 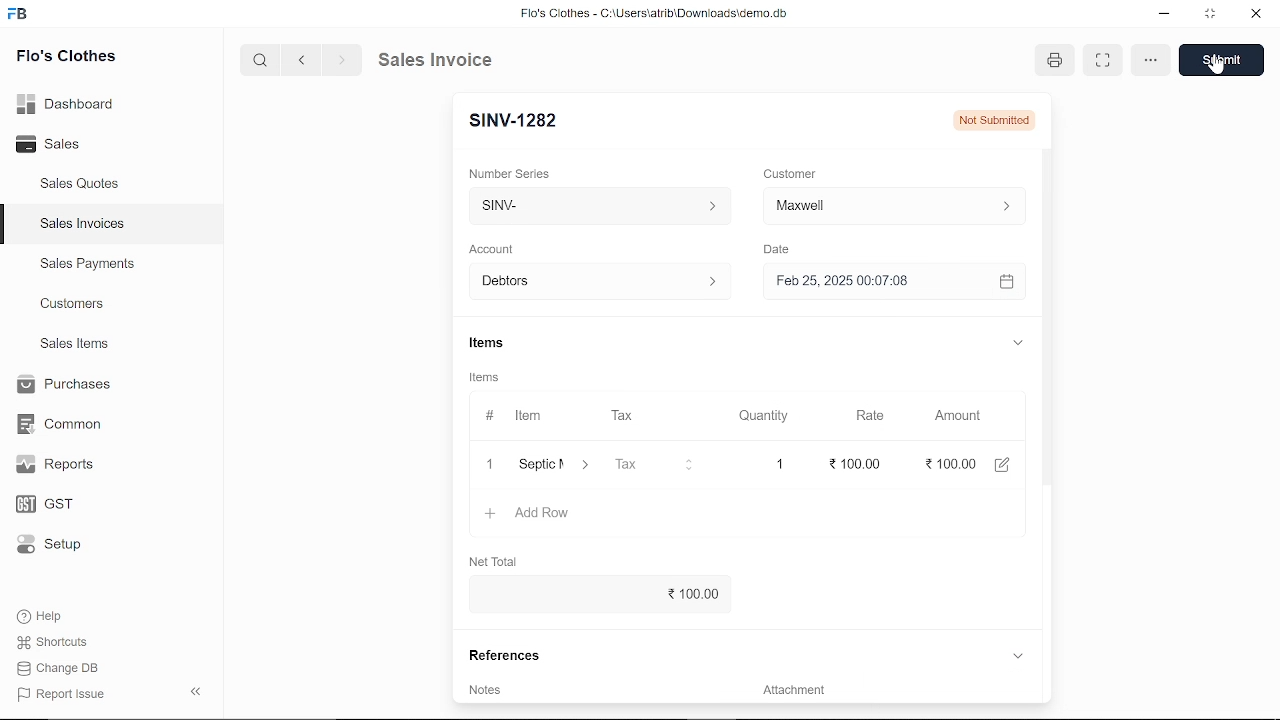 I want to click on restore down, so click(x=1207, y=13).